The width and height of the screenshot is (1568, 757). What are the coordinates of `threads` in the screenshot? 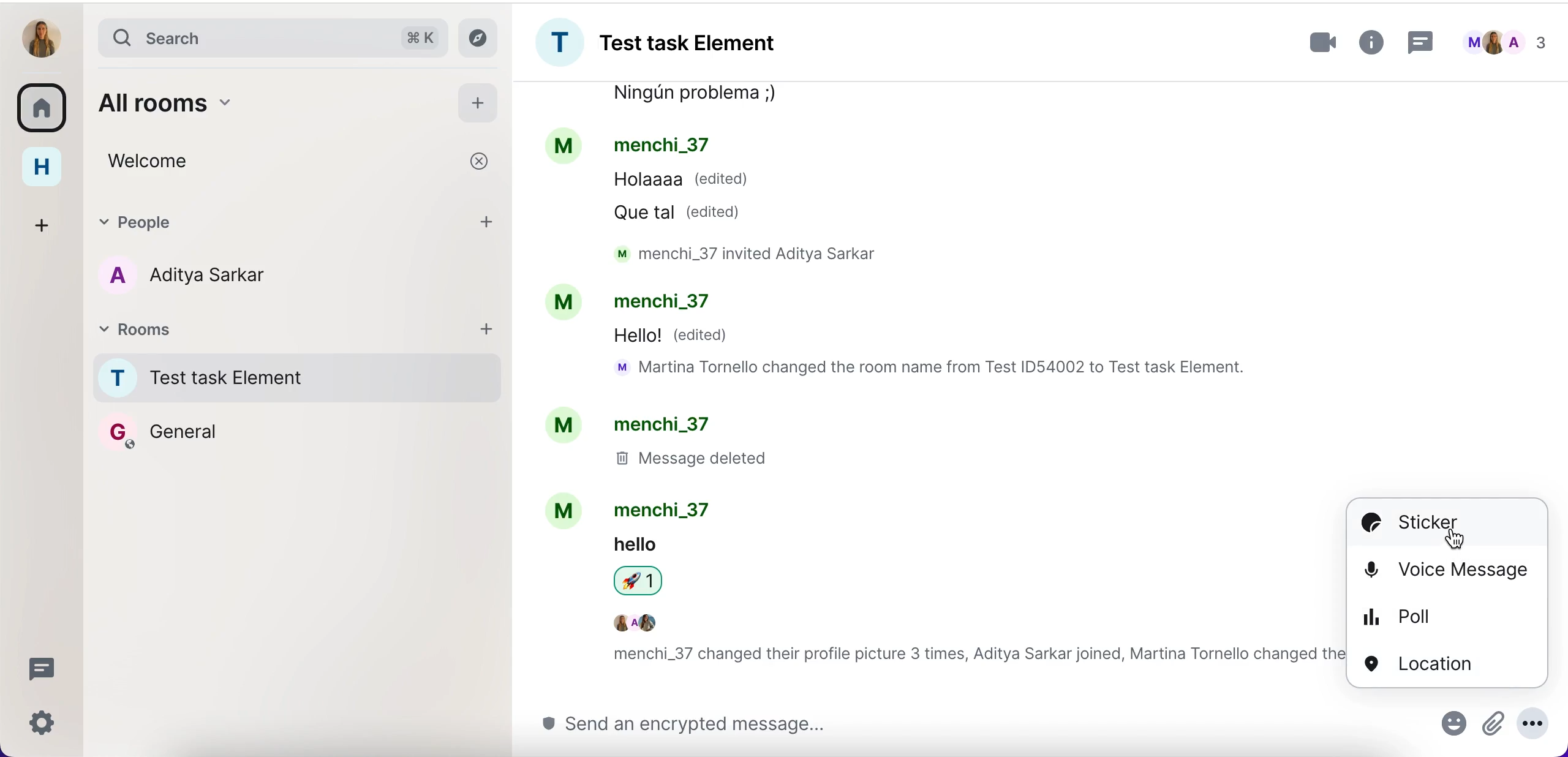 It's located at (42, 667).